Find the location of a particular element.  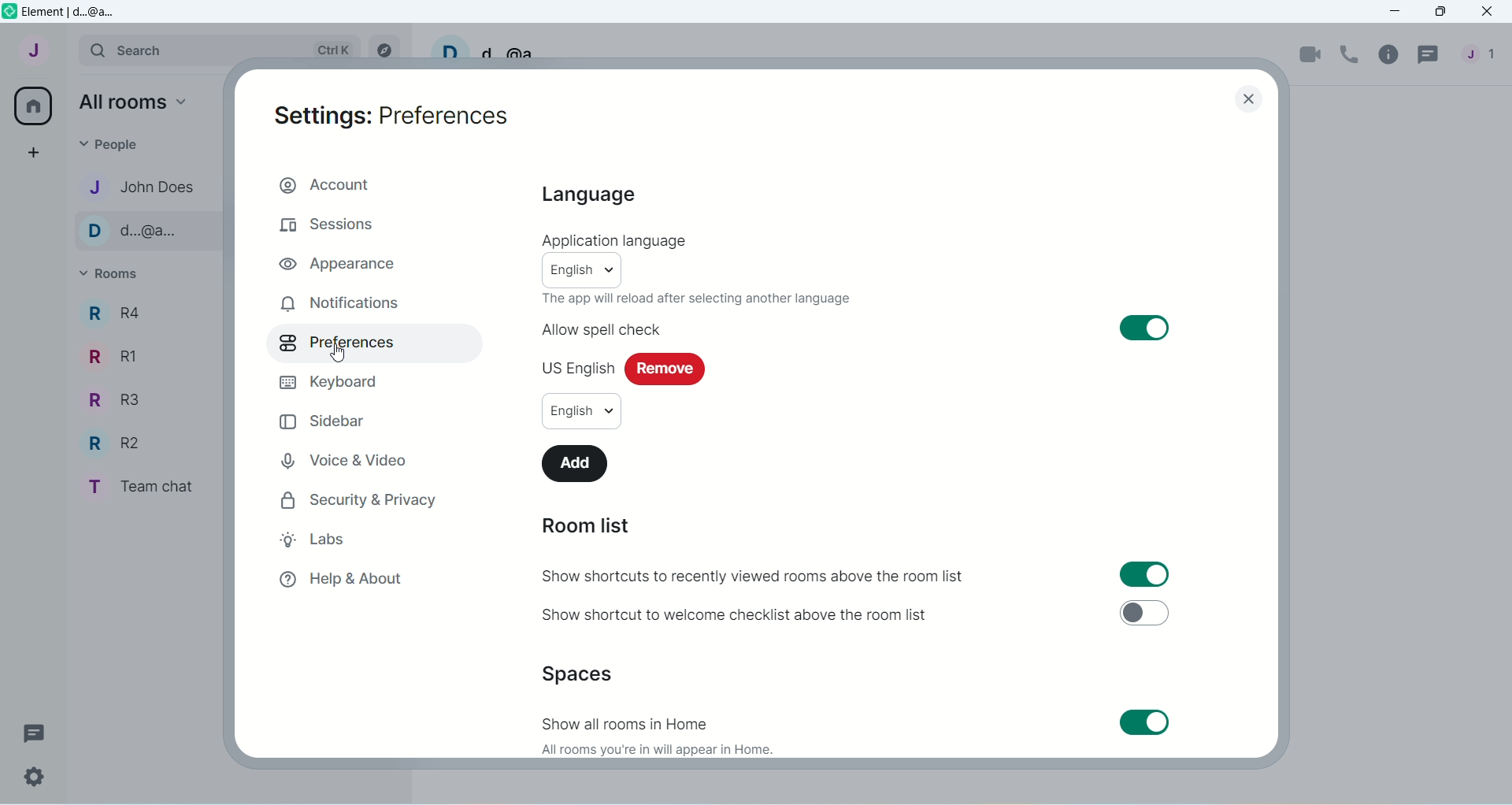

Room R1 is located at coordinates (112, 359).